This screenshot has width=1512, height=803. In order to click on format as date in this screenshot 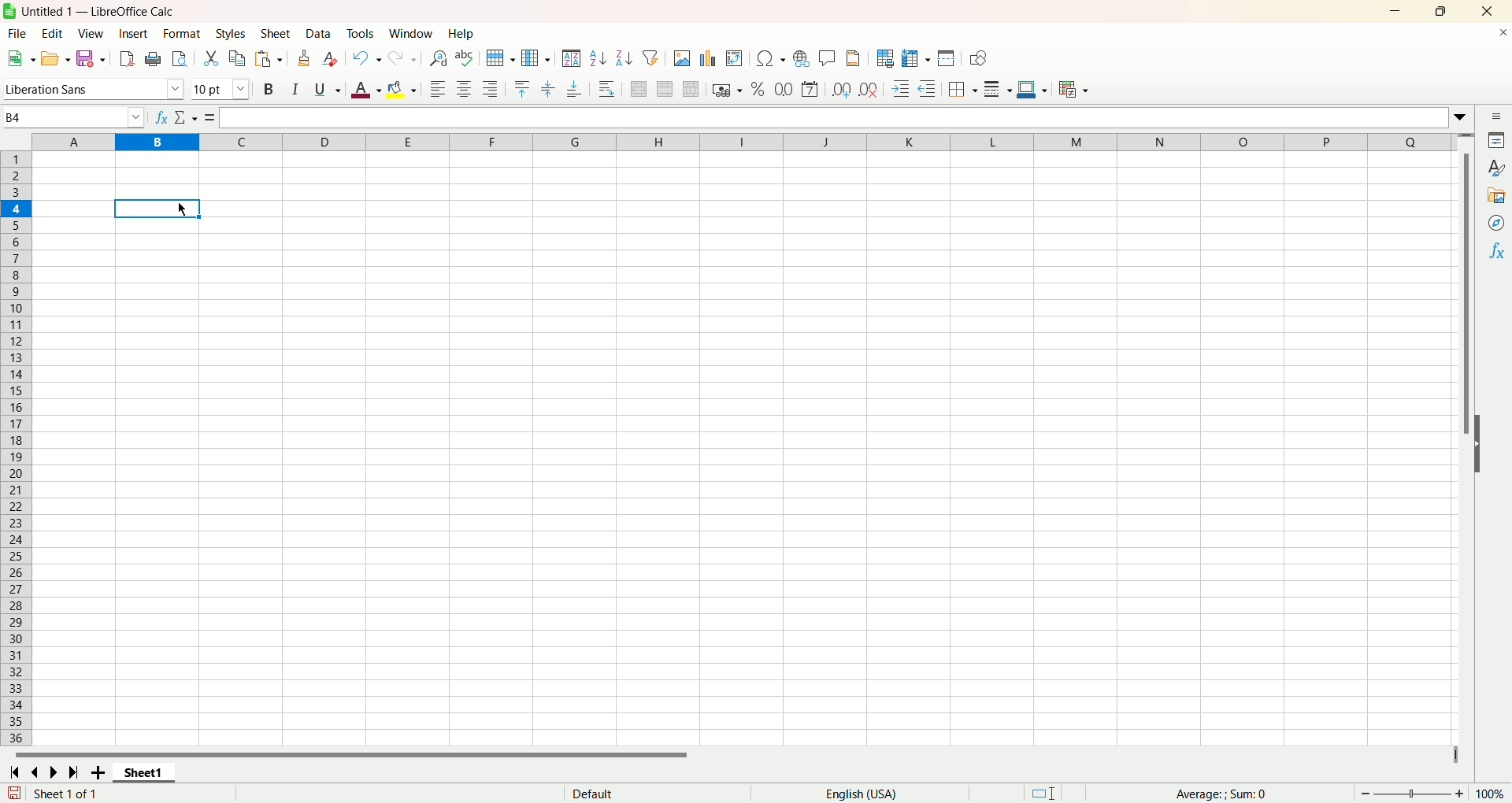, I will do `click(813, 89)`.